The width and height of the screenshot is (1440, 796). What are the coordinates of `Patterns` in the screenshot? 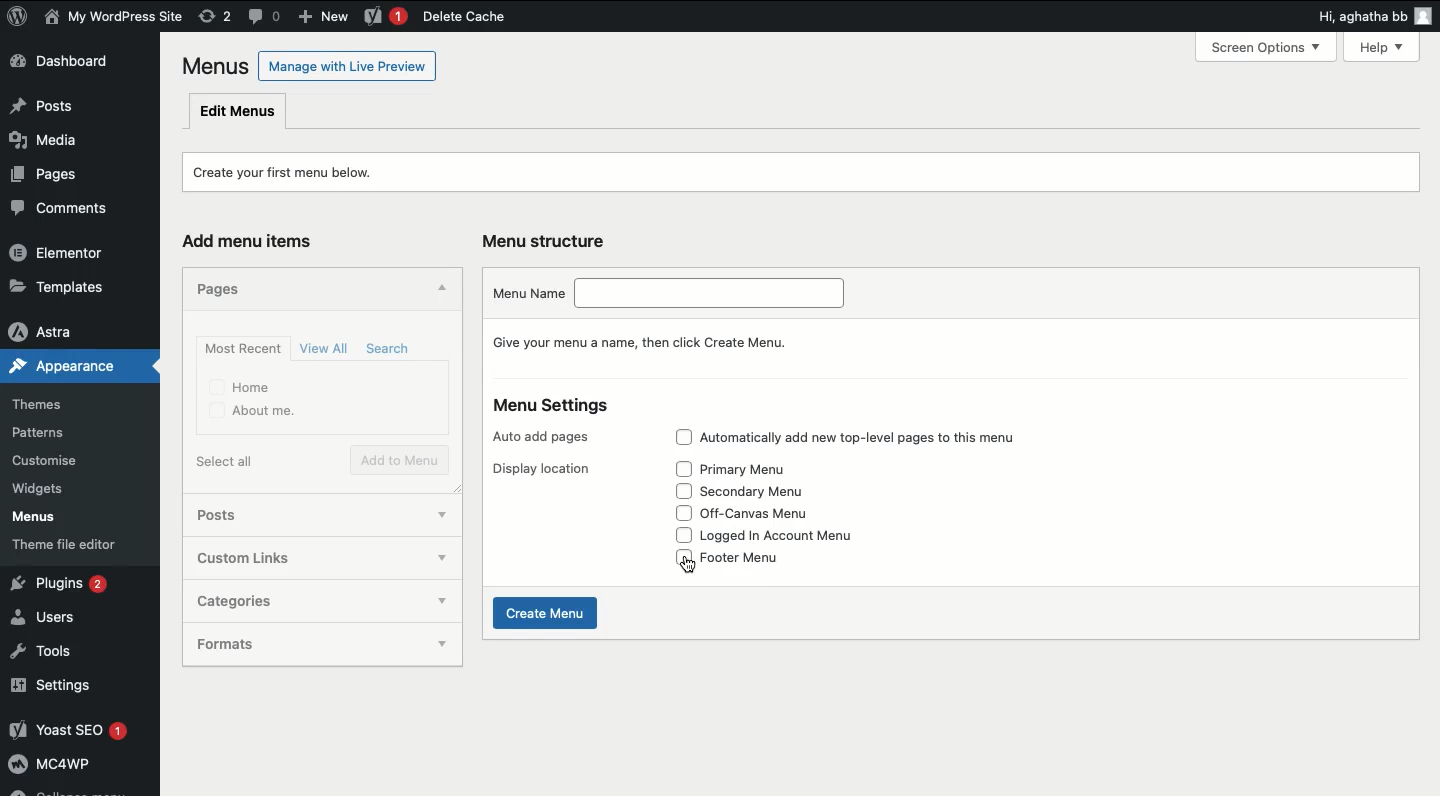 It's located at (54, 429).